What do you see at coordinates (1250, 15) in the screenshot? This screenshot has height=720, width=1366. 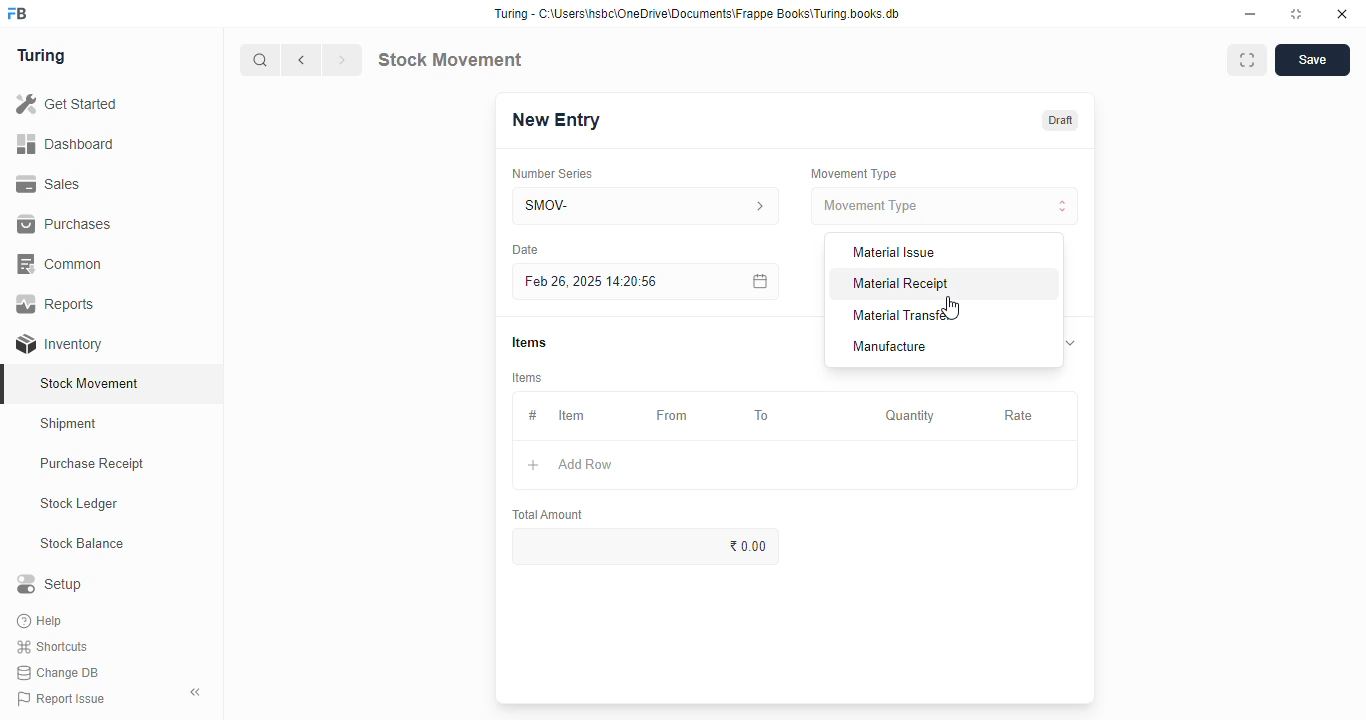 I see `minimize` at bounding box center [1250, 15].